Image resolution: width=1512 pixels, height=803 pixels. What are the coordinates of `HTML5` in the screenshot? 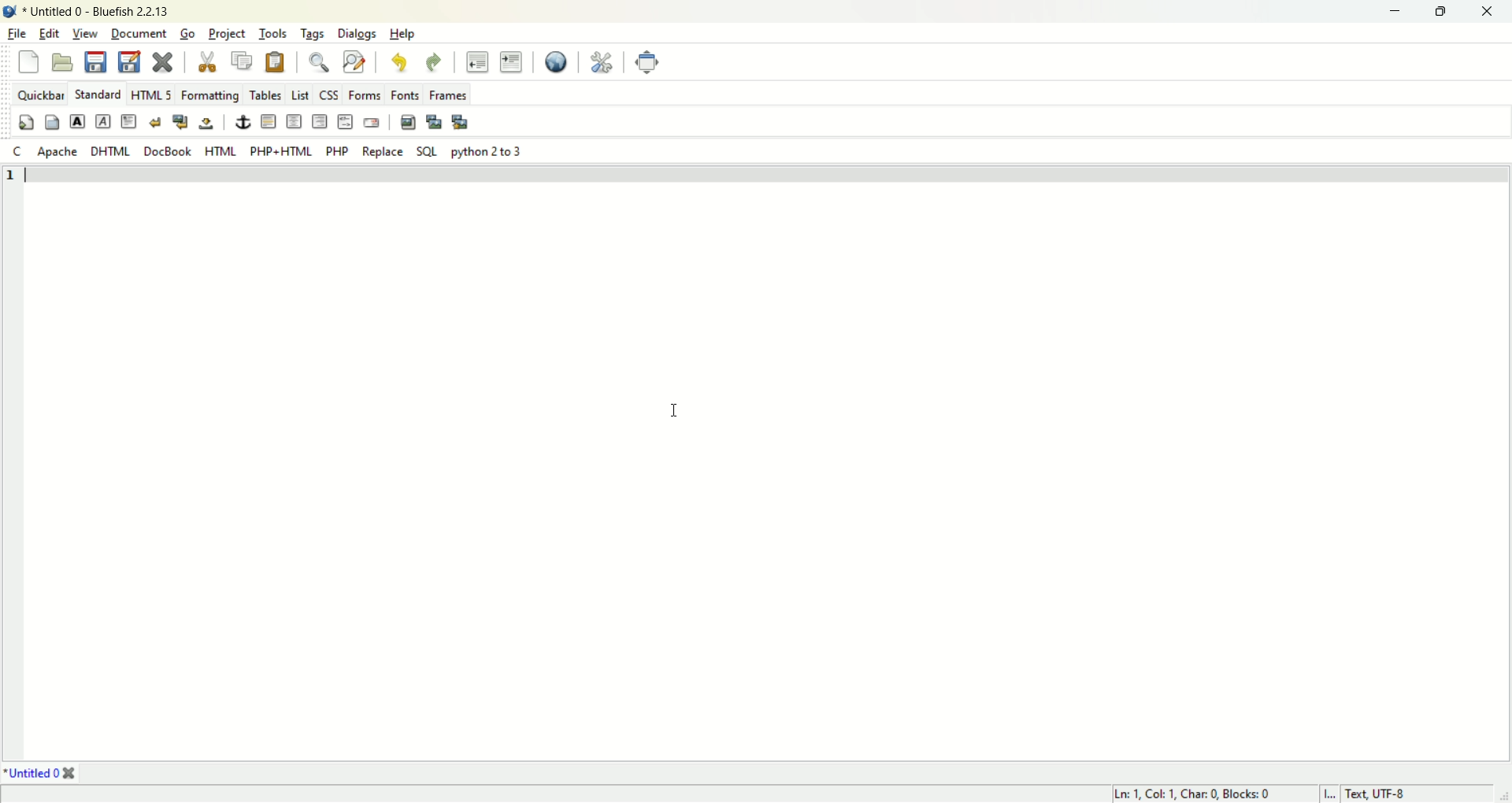 It's located at (150, 94).